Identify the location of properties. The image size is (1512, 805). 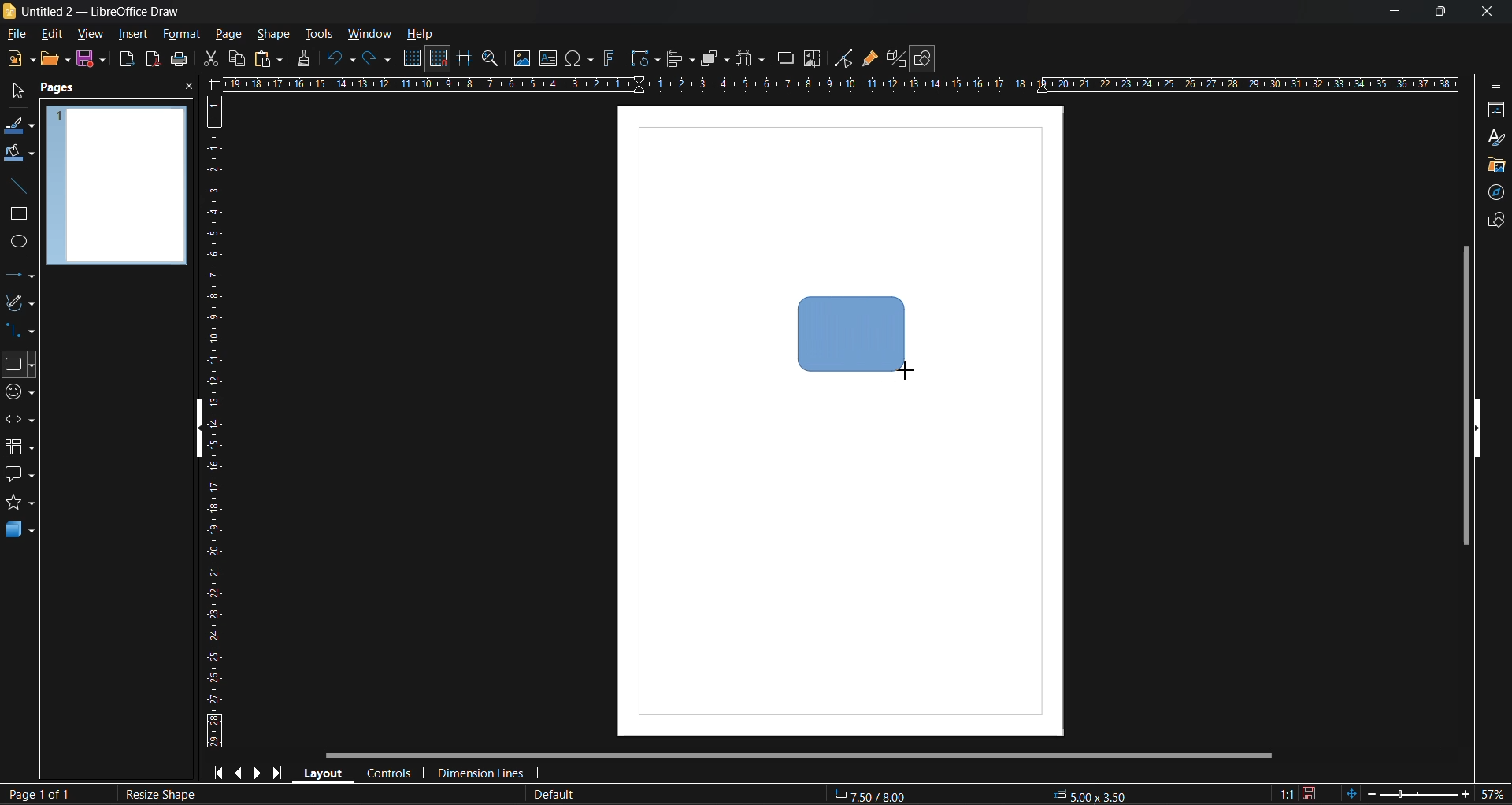
(1492, 111).